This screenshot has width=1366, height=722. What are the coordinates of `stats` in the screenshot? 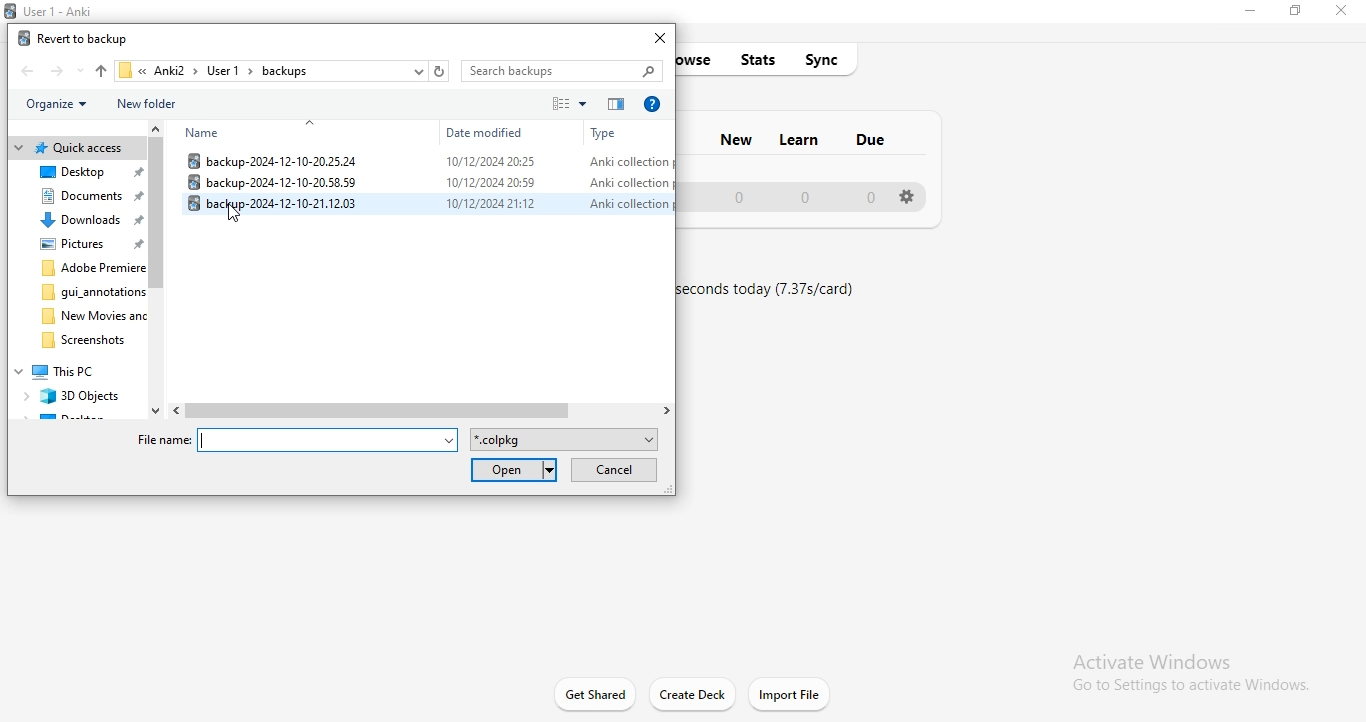 It's located at (762, 58).